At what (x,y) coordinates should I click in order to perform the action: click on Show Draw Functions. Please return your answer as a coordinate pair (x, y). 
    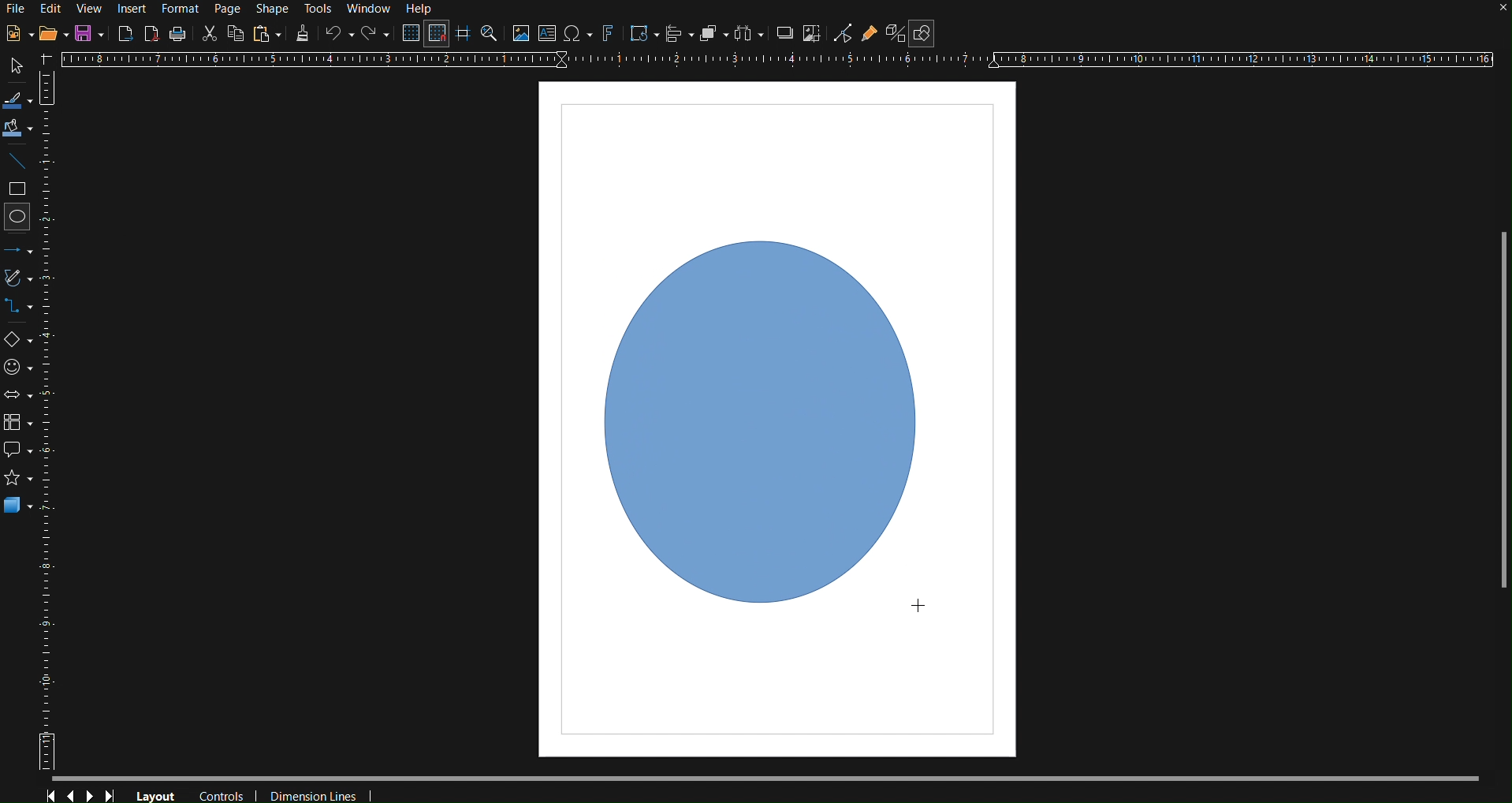
    Looking at the image, I should click on (921, 34).